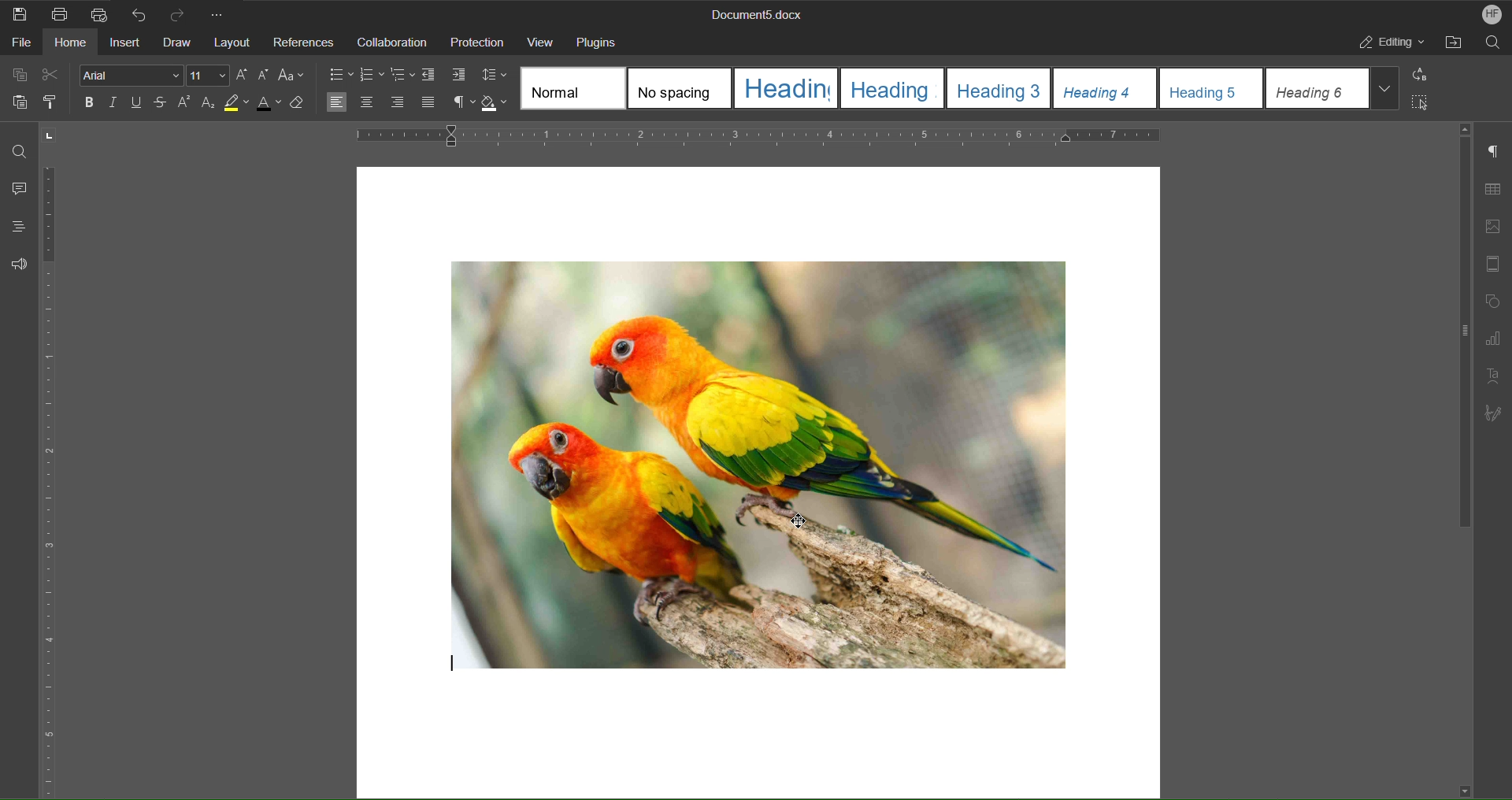 The width and height of the screenshot is (1512, 800). Describe the element at coordinates (497, 103) in the screenshot. I see `Shadow` at that location.